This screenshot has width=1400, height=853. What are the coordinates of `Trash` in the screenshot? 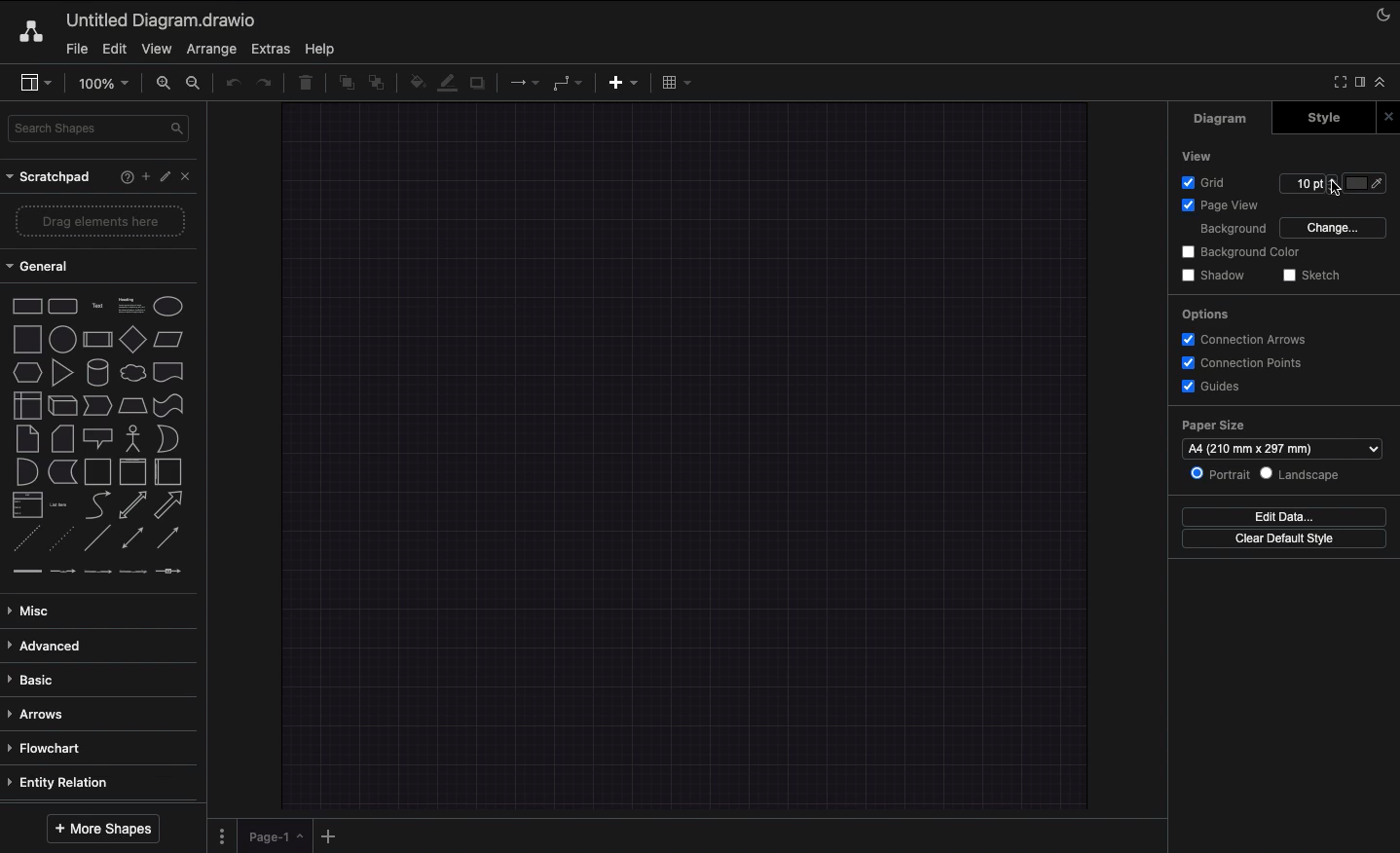 It's located at (306, 85).